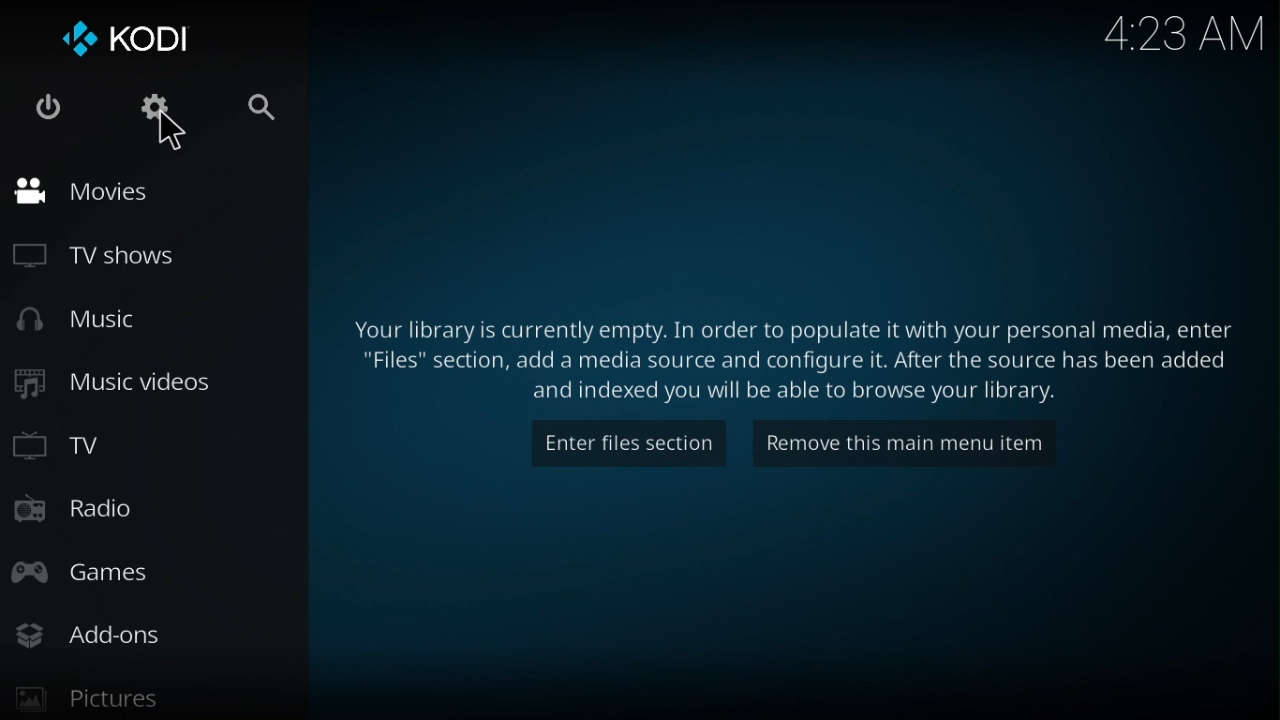 This screenshot has height=720, width=1280. I want to click on Settings, so click(153, 111).